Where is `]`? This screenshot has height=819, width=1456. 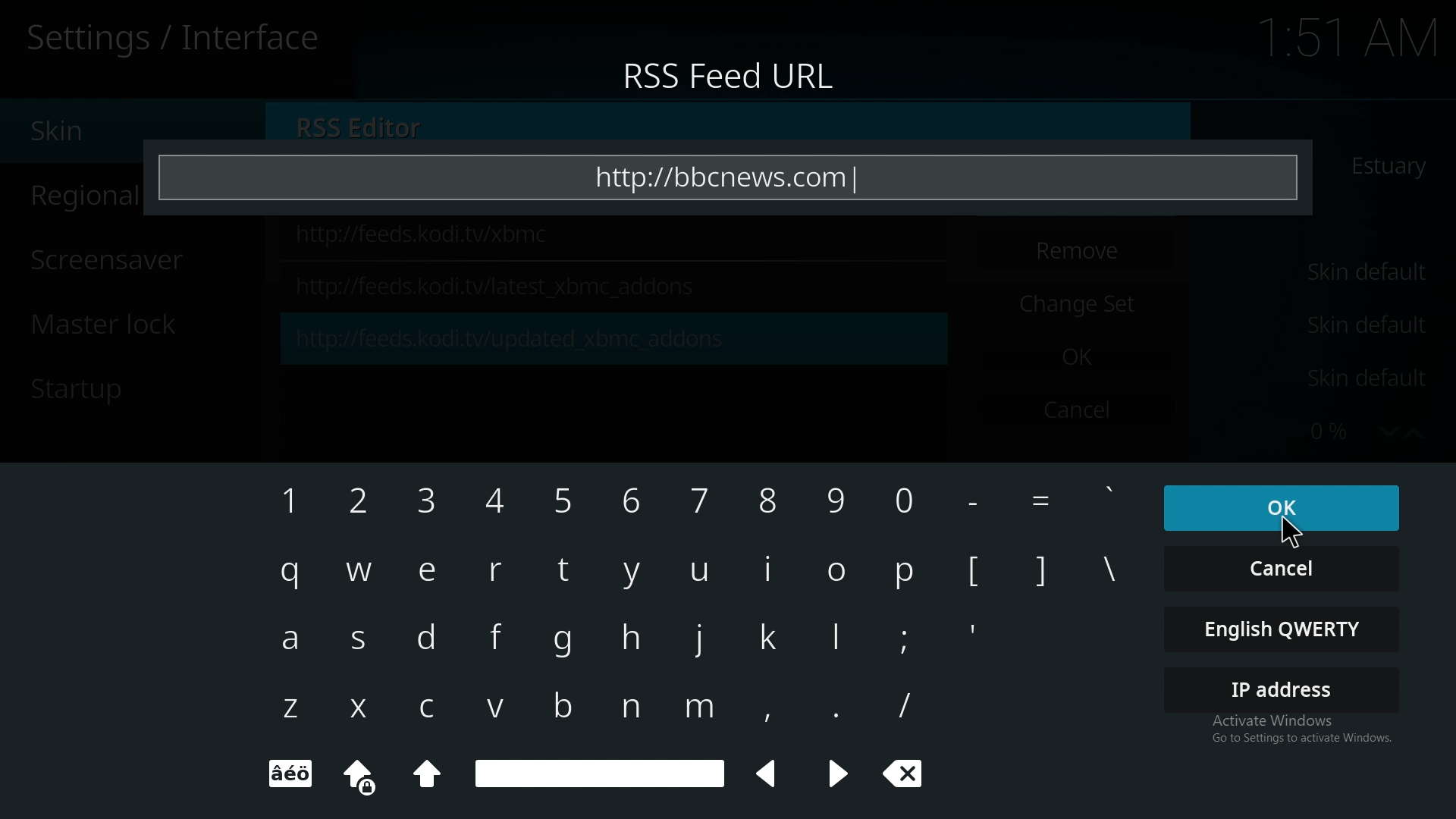 ] is located at coordinates (1043, 576).